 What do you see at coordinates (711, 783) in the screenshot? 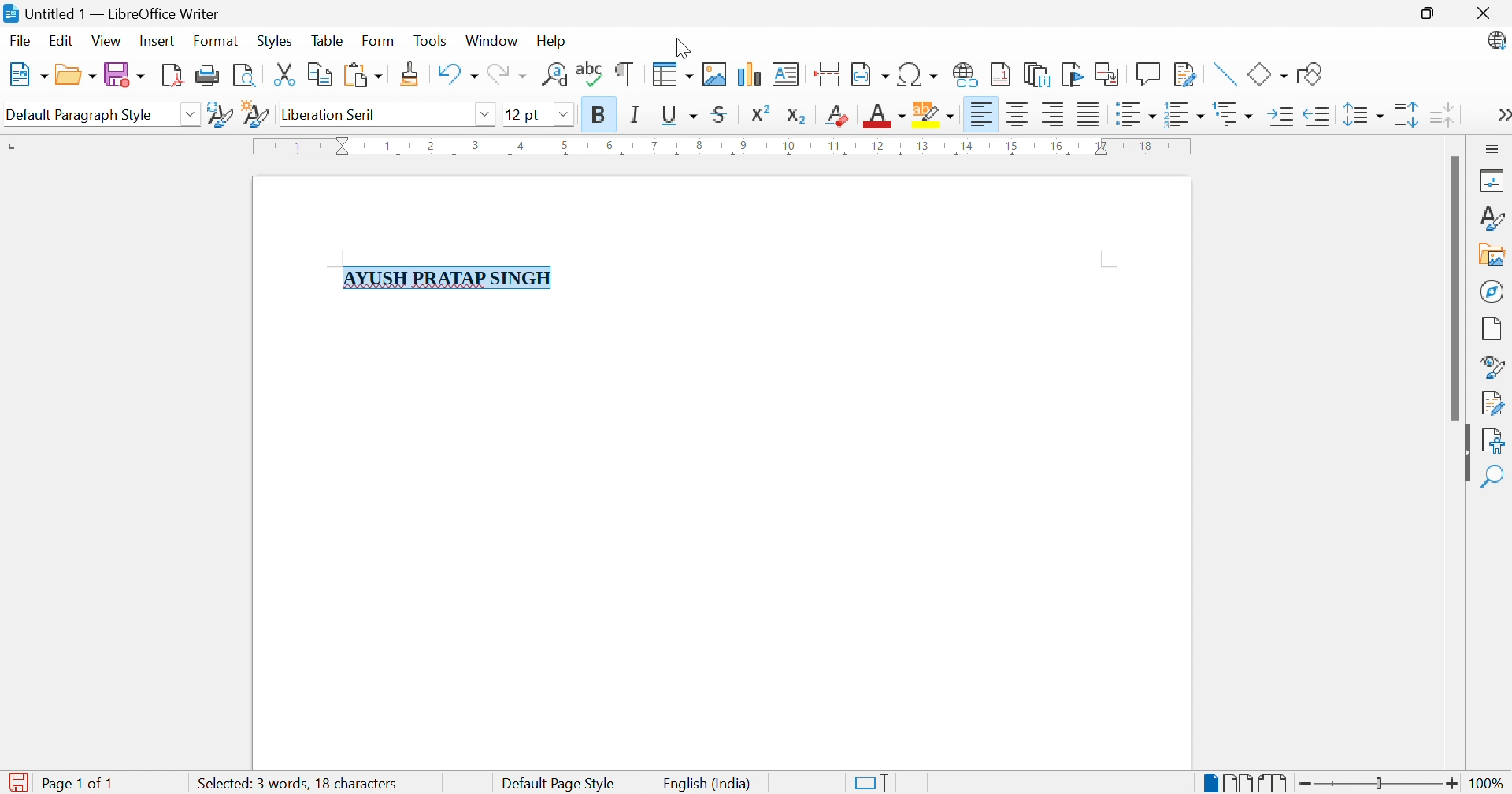
I see `English (India)` at bounding box center [711, 783].